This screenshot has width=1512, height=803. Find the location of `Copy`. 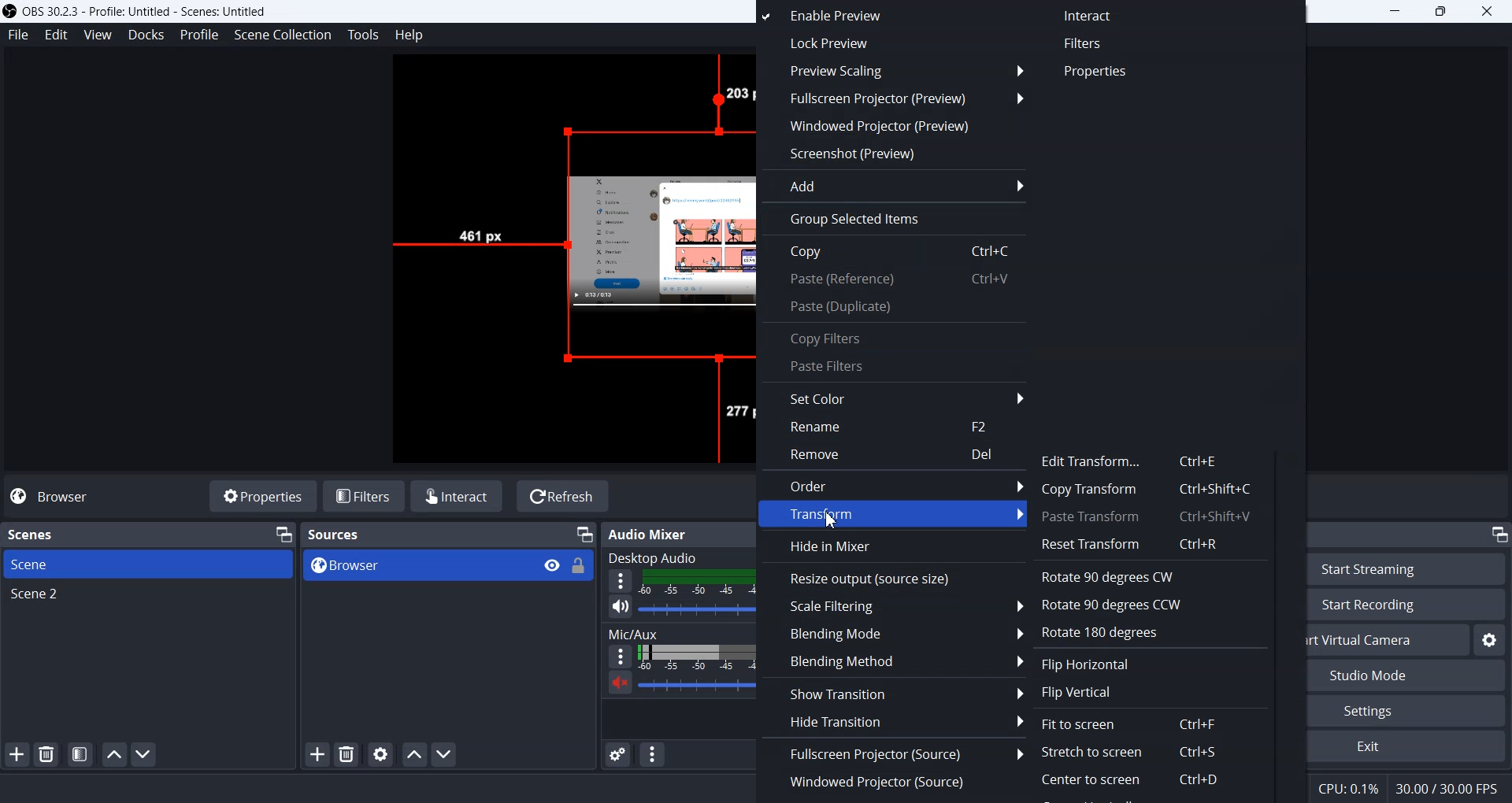

Copy is located at coordinates (892, 253).